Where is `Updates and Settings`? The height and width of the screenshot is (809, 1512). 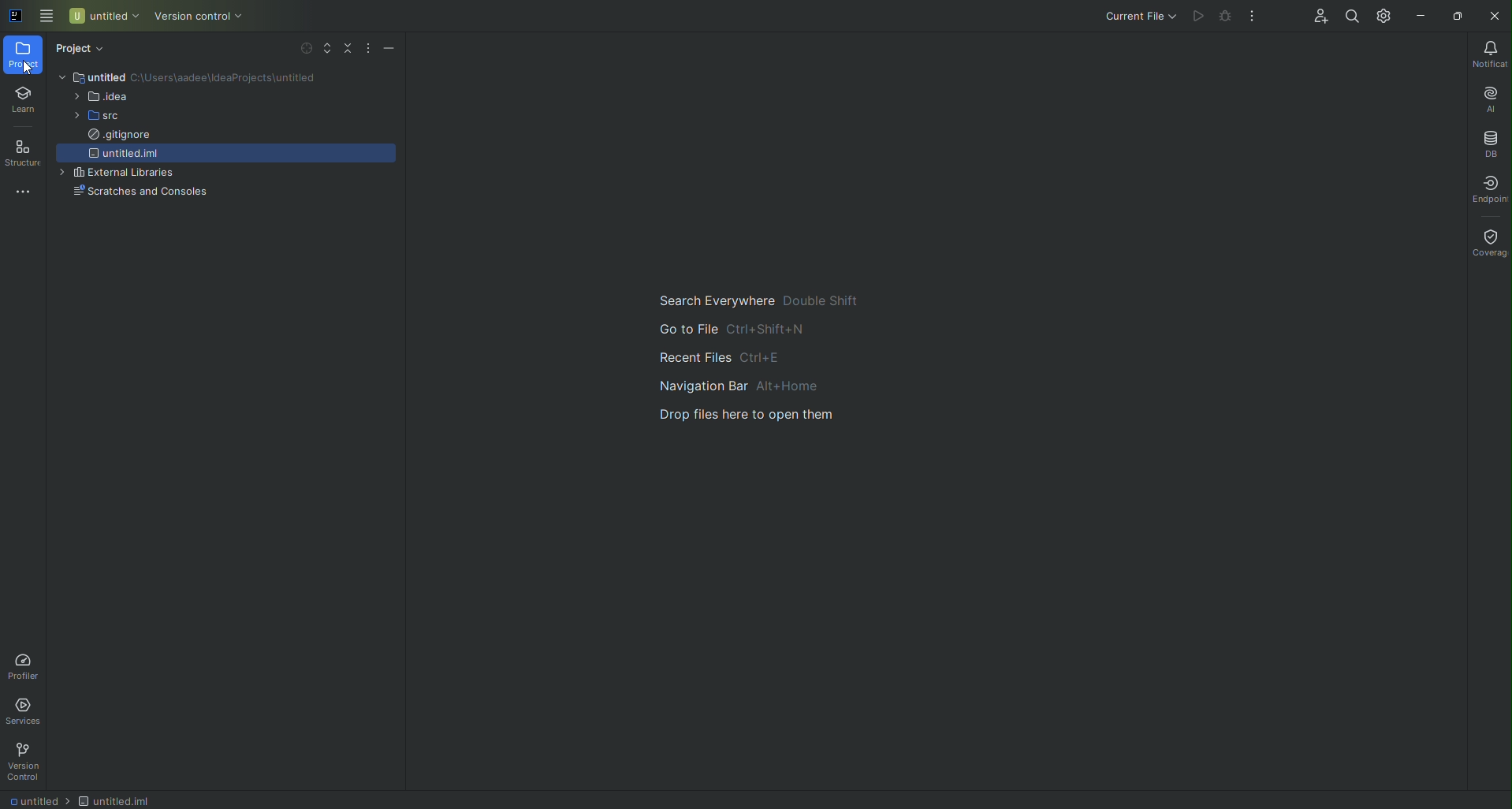 Updates and Settings is located at coordinates (1382, 15).